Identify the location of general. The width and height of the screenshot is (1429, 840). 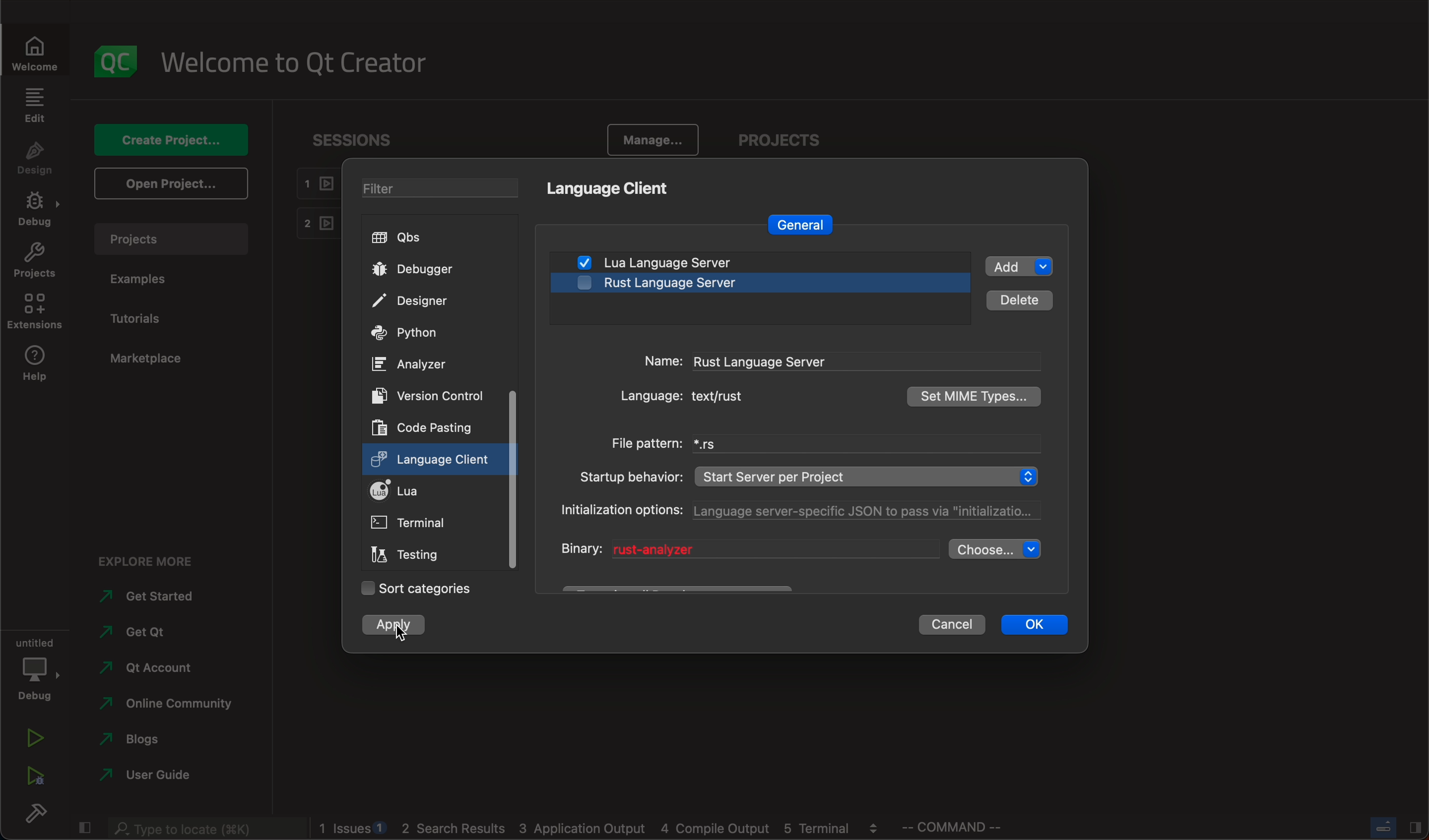
(807, 222).